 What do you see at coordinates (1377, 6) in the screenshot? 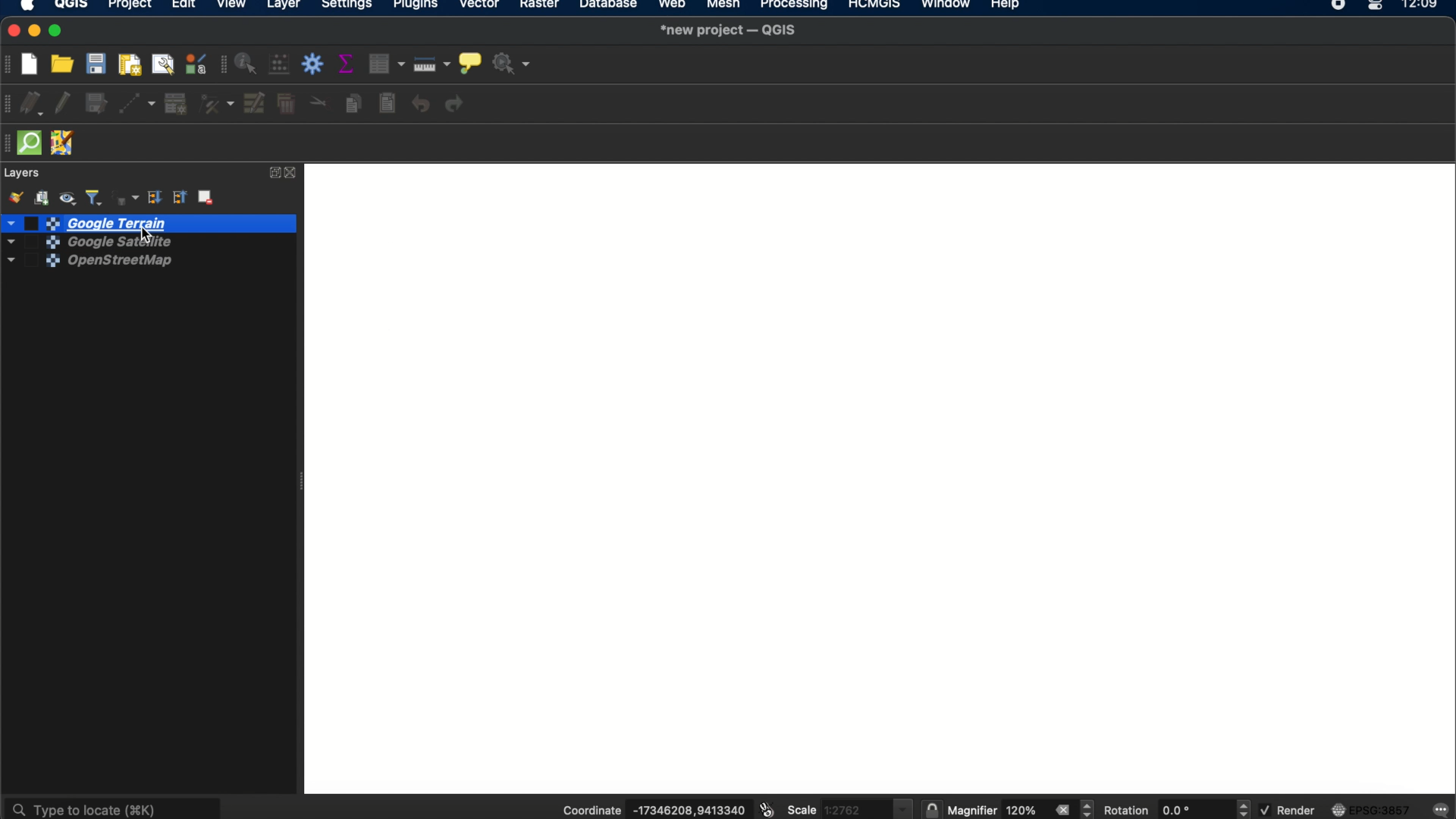
I see `control center` at bounding box center [1377, 6].